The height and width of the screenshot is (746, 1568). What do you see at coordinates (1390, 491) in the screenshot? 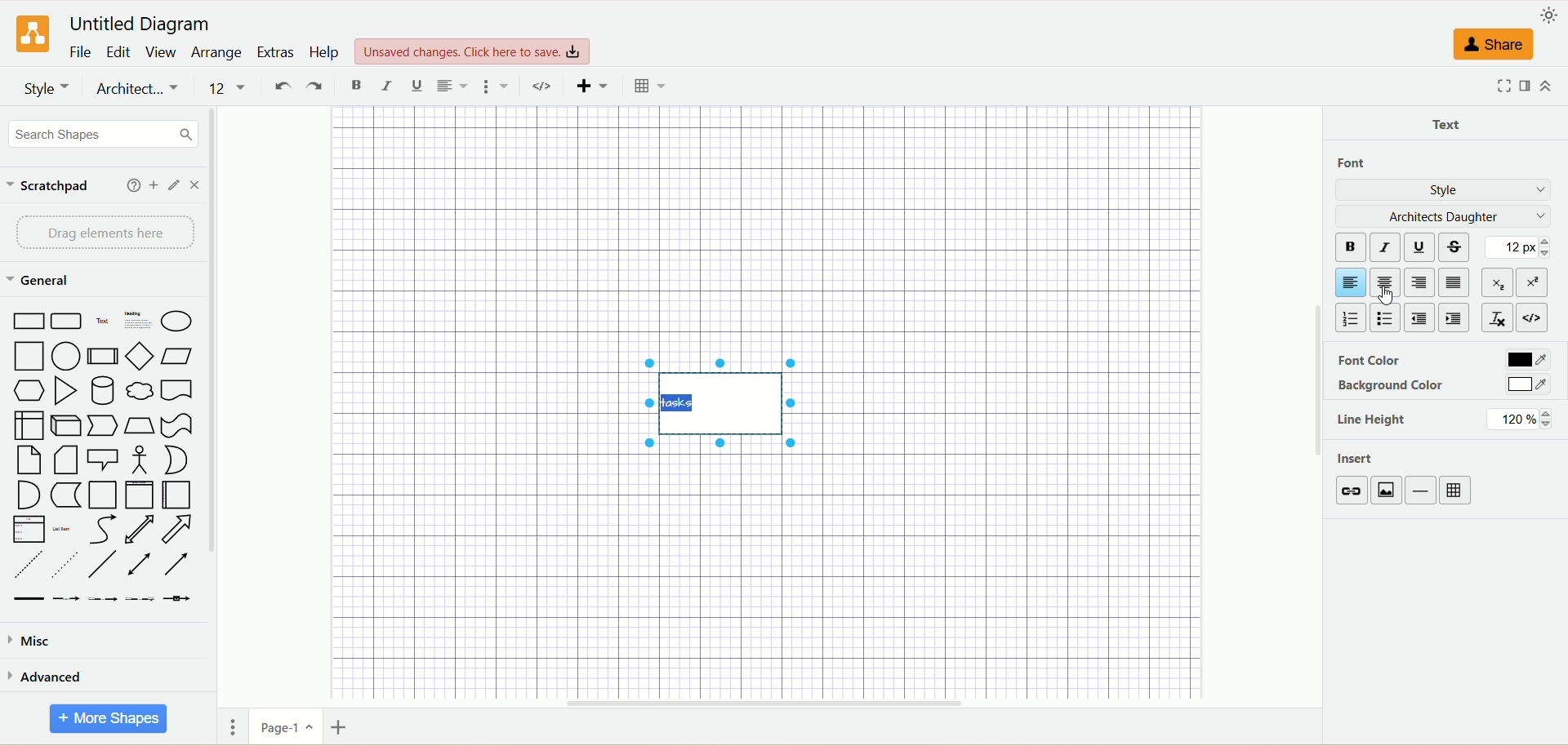
I see `image` at bounding box center [1390, 491].